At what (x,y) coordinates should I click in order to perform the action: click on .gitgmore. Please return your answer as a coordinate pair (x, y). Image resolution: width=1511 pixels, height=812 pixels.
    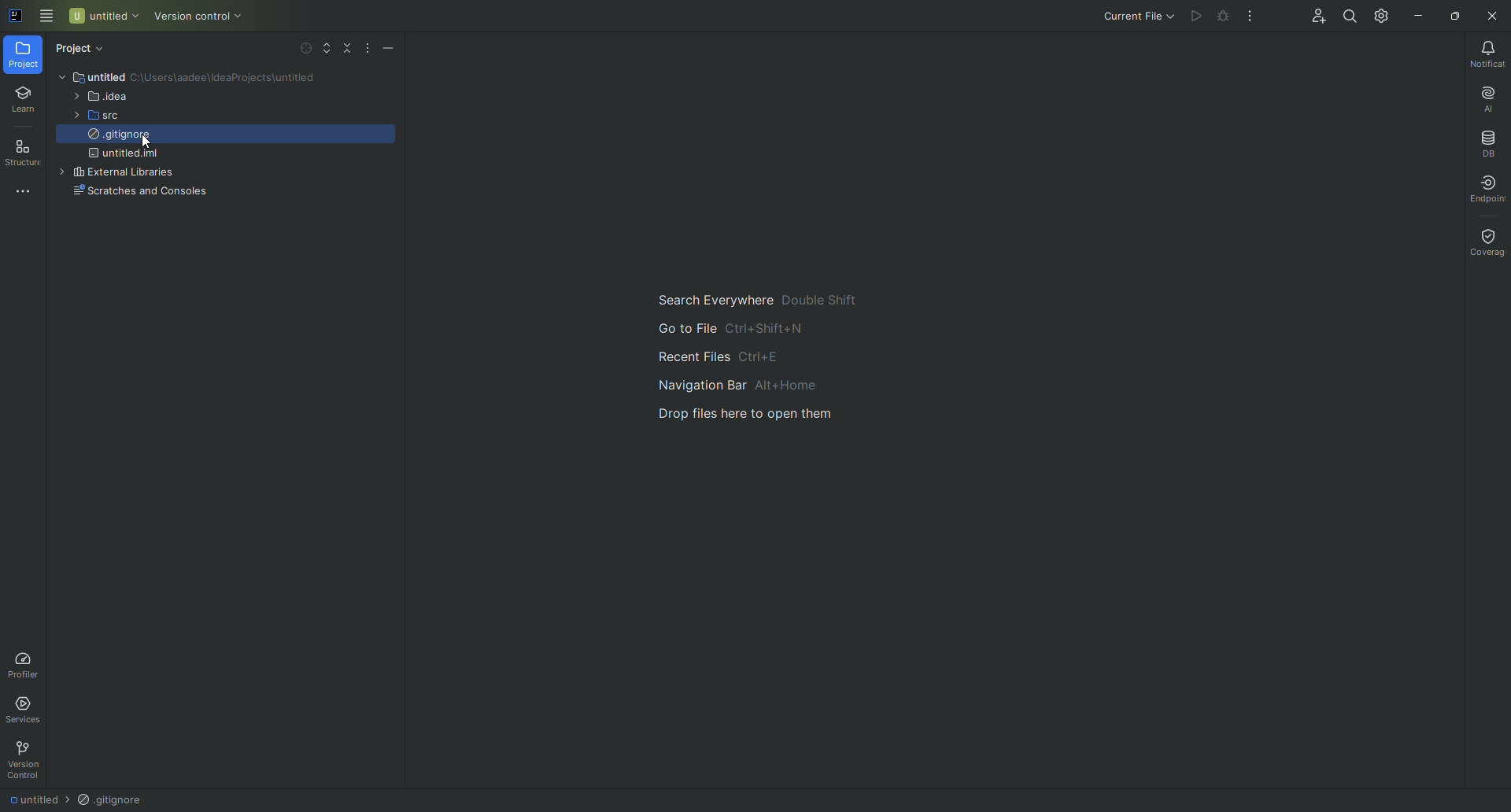
    Looking at the image, I should click on (111, 800).